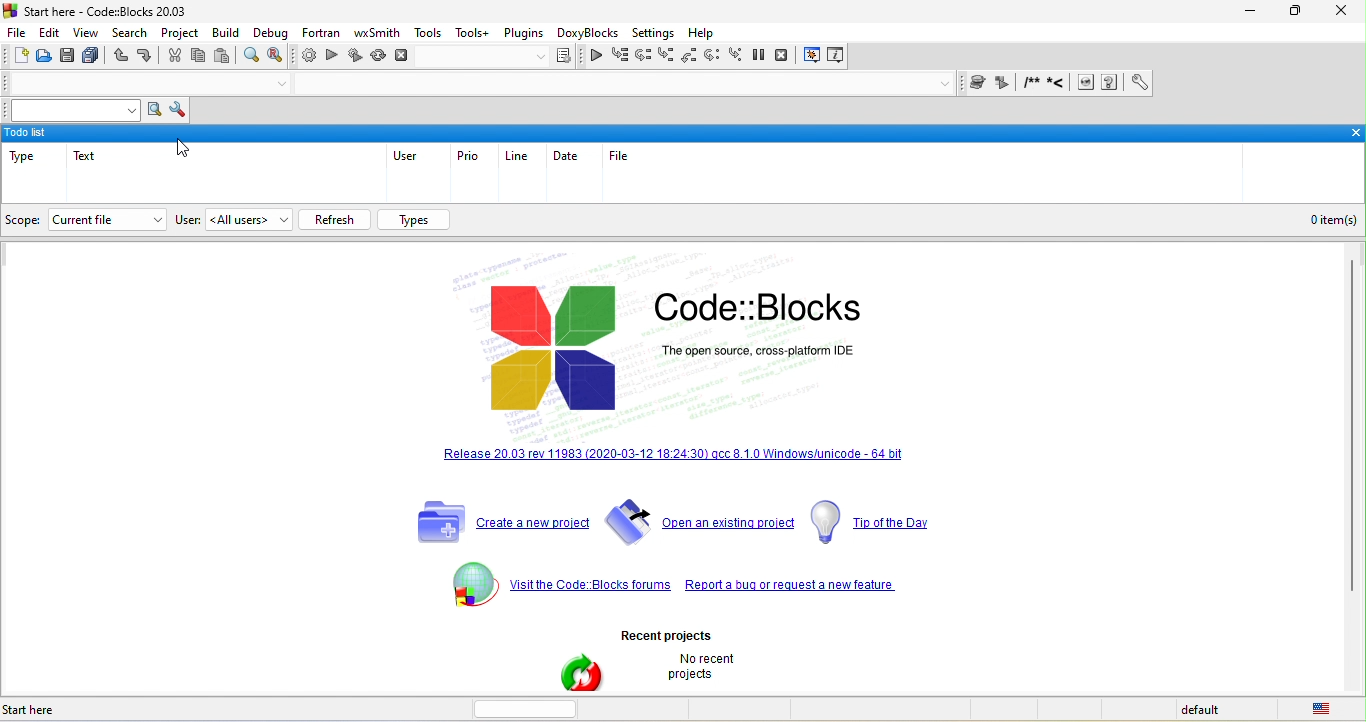 The width and height of the screenshot is (1366, 722). Describe the element at coordinates (1215, 710) in the screenshot. I see `default` at that location.